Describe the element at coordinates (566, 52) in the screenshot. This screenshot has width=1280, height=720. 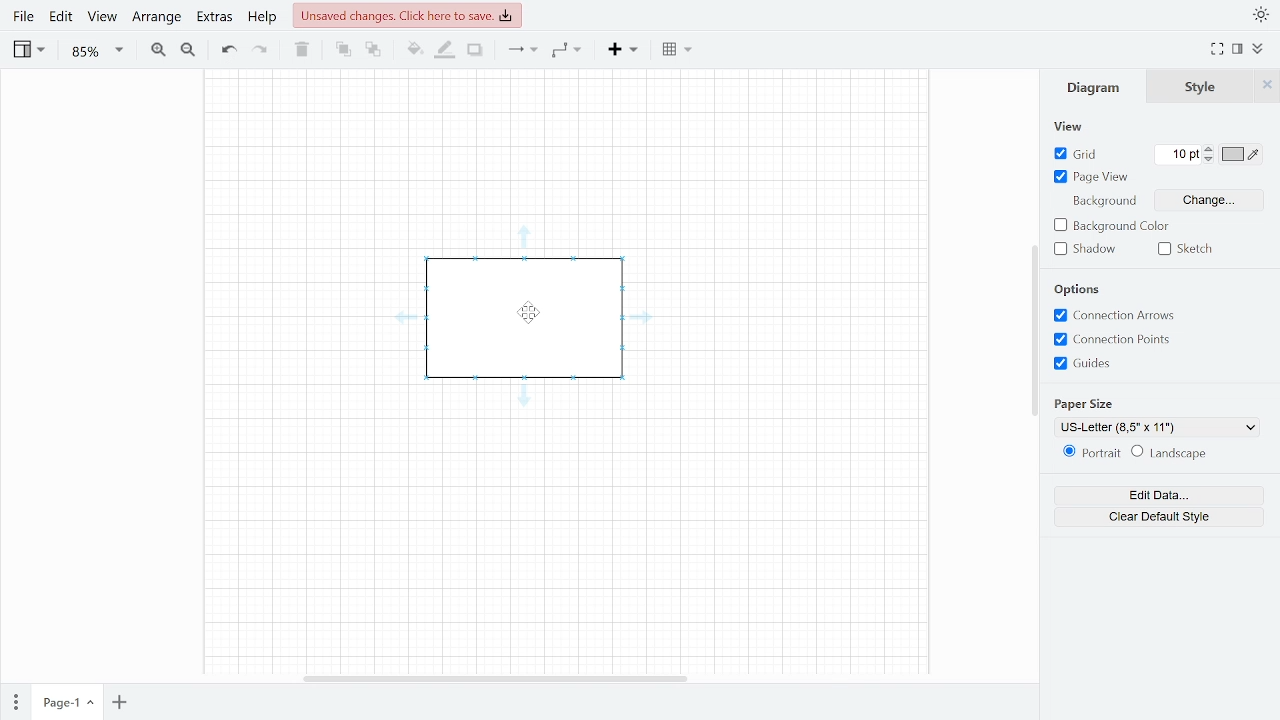
I see `Waypoints` at that location.